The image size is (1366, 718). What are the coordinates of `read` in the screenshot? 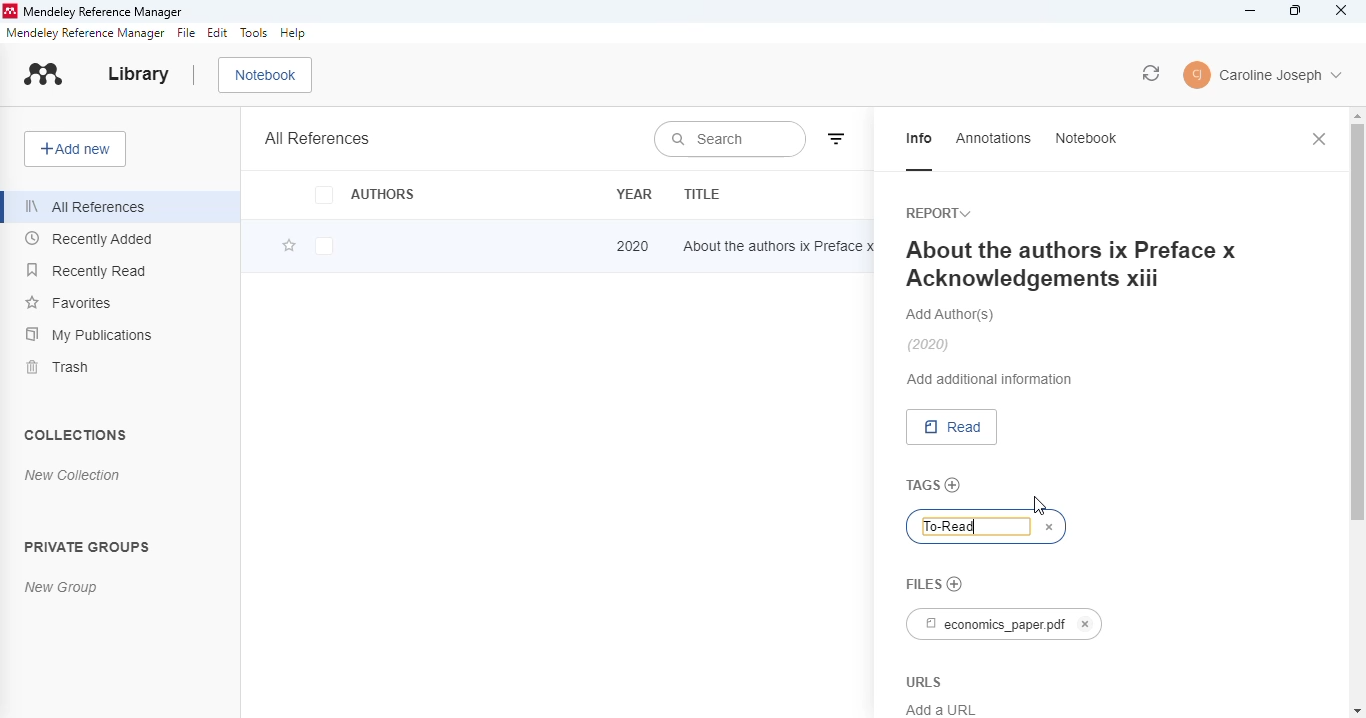 It's located at (952, 427).